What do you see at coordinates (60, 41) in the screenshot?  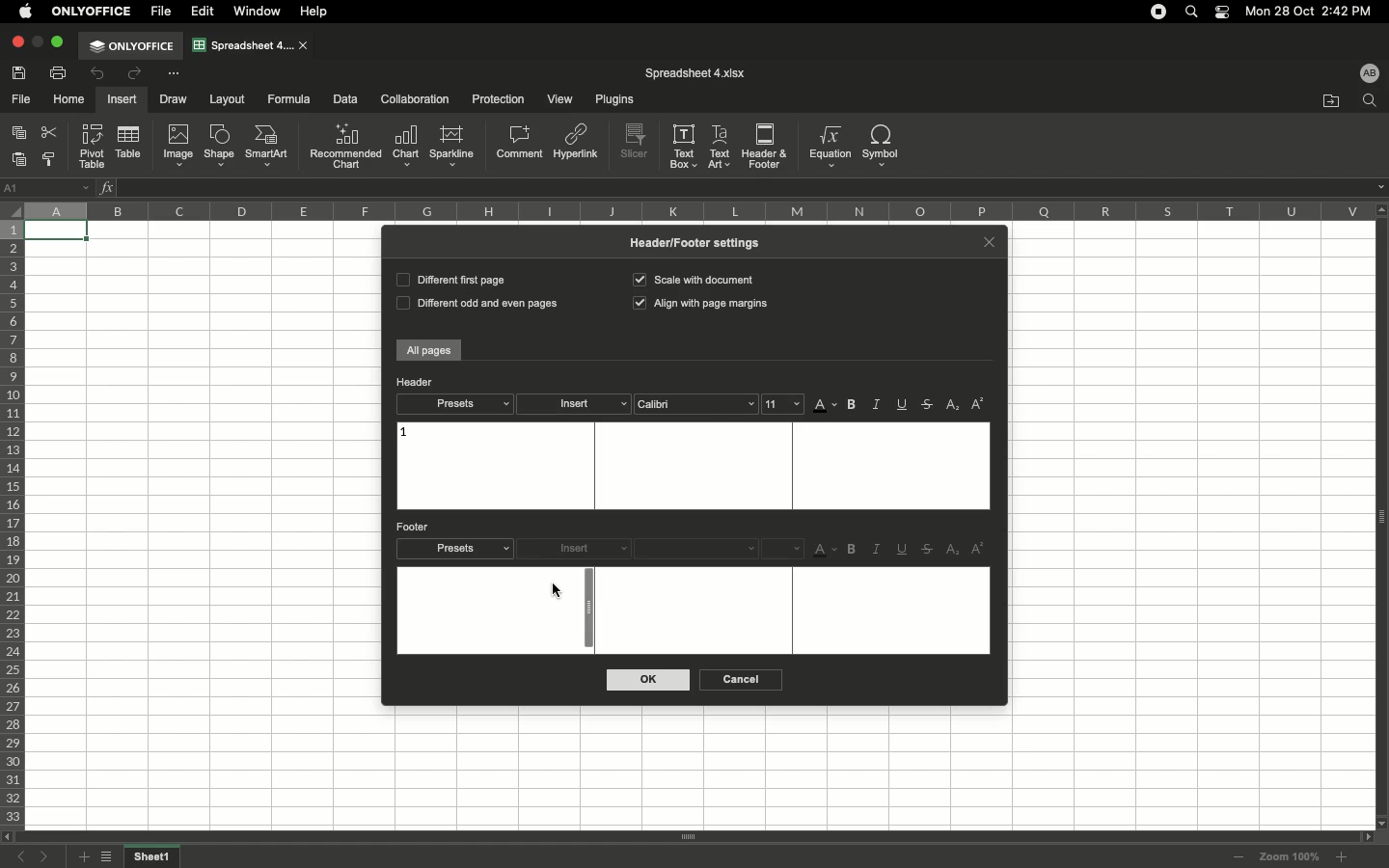 I see `Maximize` at bounding box center [60, 41].